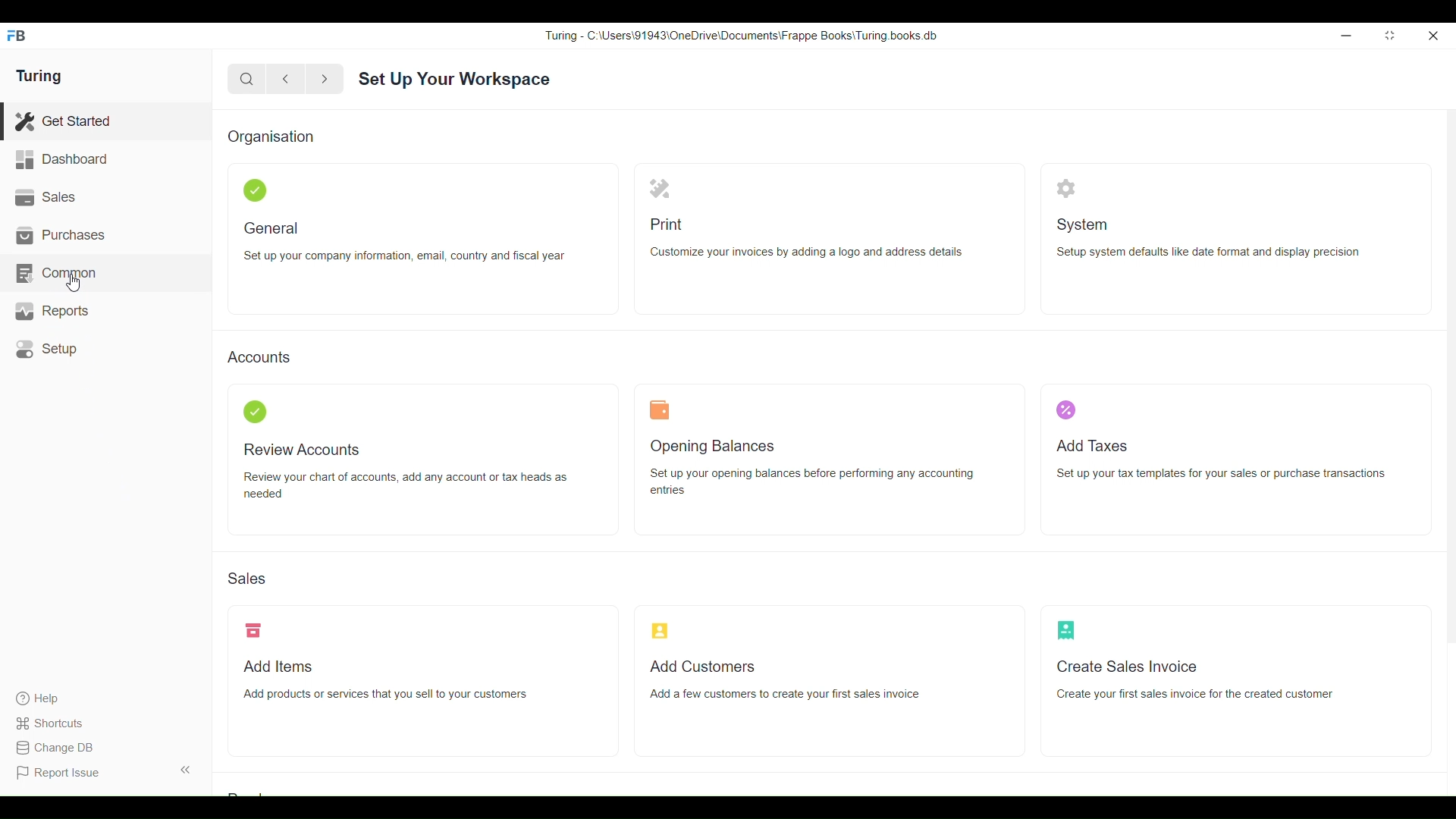 The height and width of the screenshot is (819, 1456). Describe the element at coordinates (58, 773) in the screenshot. I see `Report Issue` at that location.